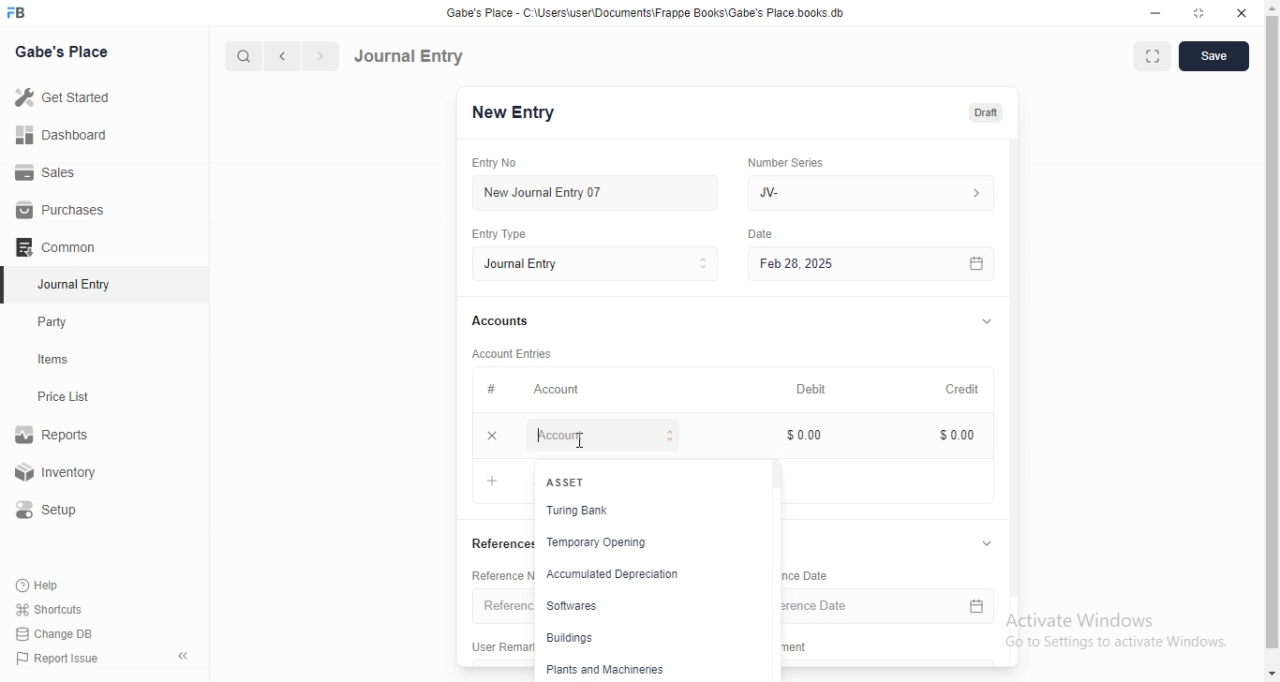  What do you see at coordinates (993, 113) in the screenshot?
I see `Draft` at bounding box center [993, 113].